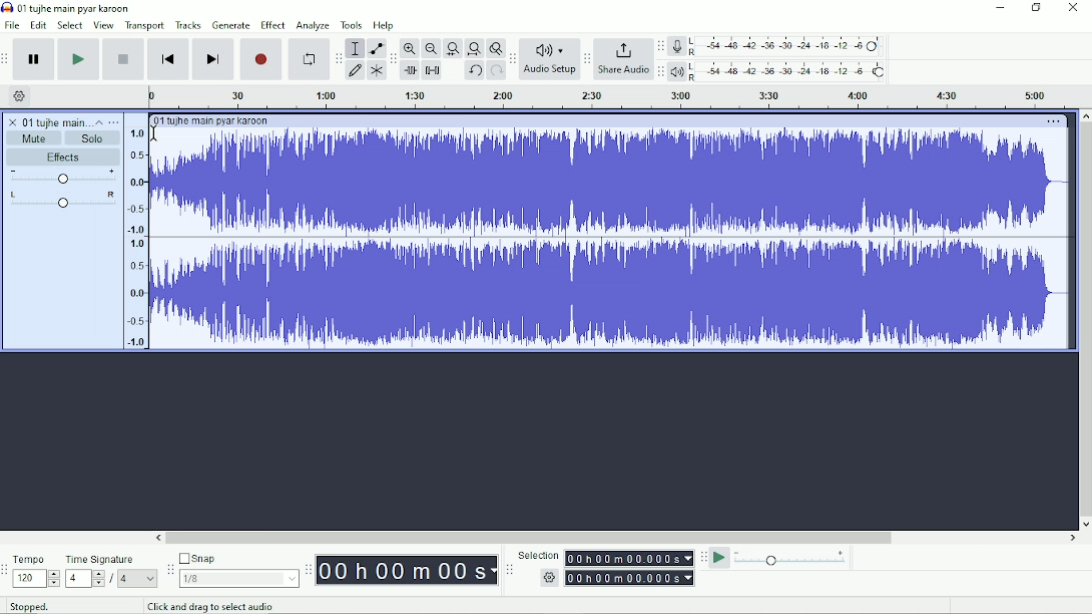 This screenshot has height=614, width=1092. What do you see at coordinates (385, 25) in the screenshot?
I see `Help` at bounding box center [385, 25].